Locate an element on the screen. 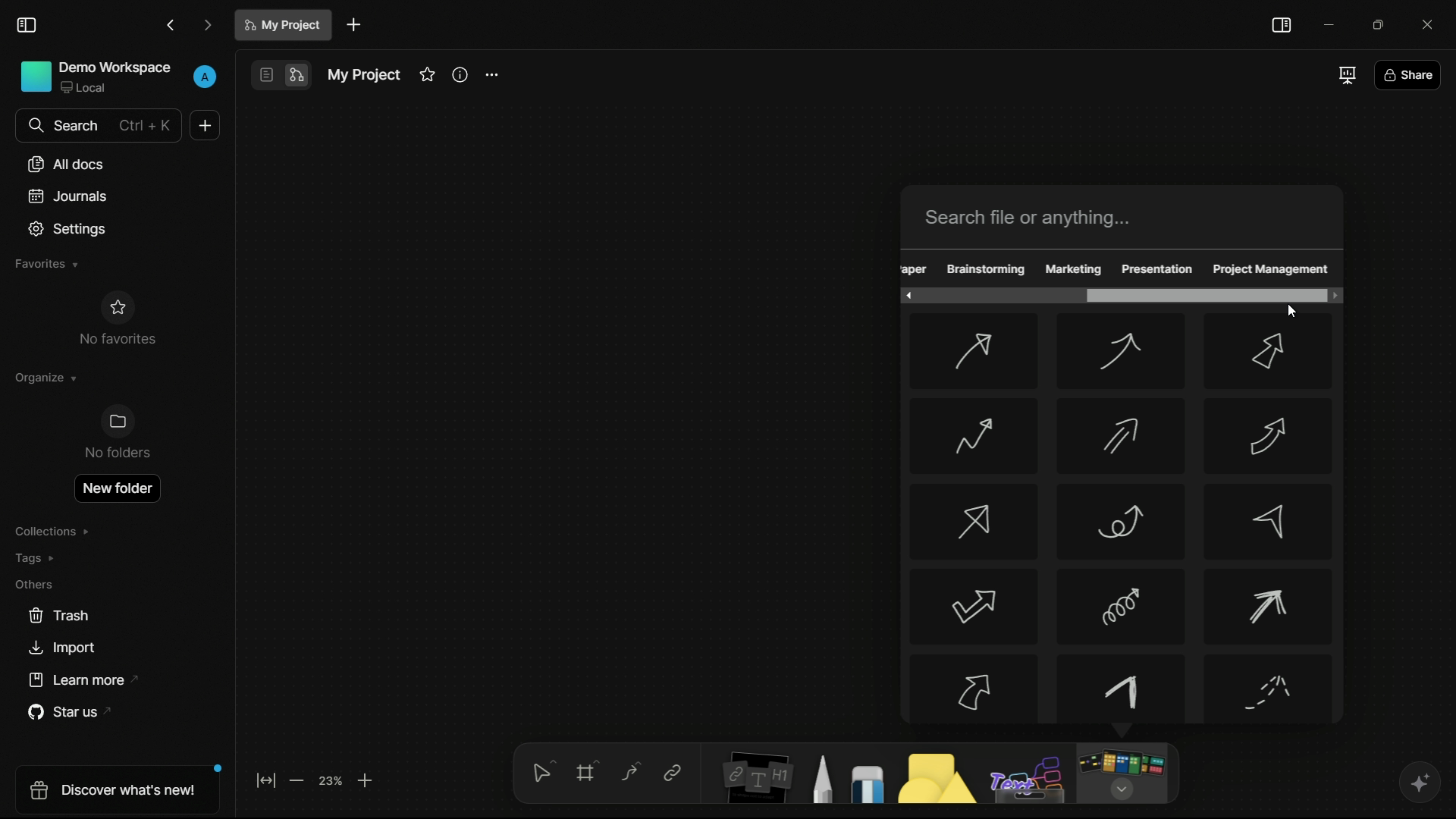  document name is located at coordinates (362, 75).